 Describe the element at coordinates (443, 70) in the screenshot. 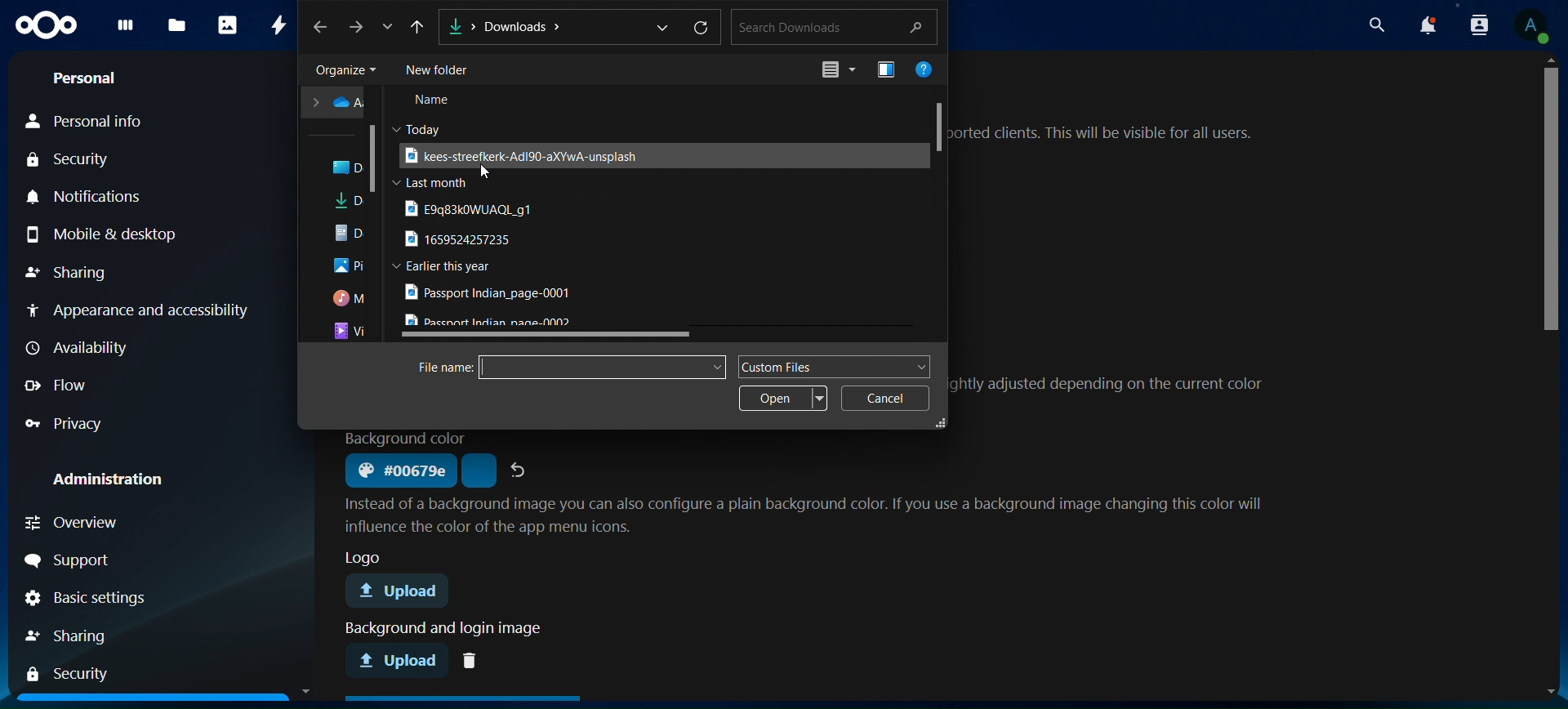

I see `new folder` at that location.